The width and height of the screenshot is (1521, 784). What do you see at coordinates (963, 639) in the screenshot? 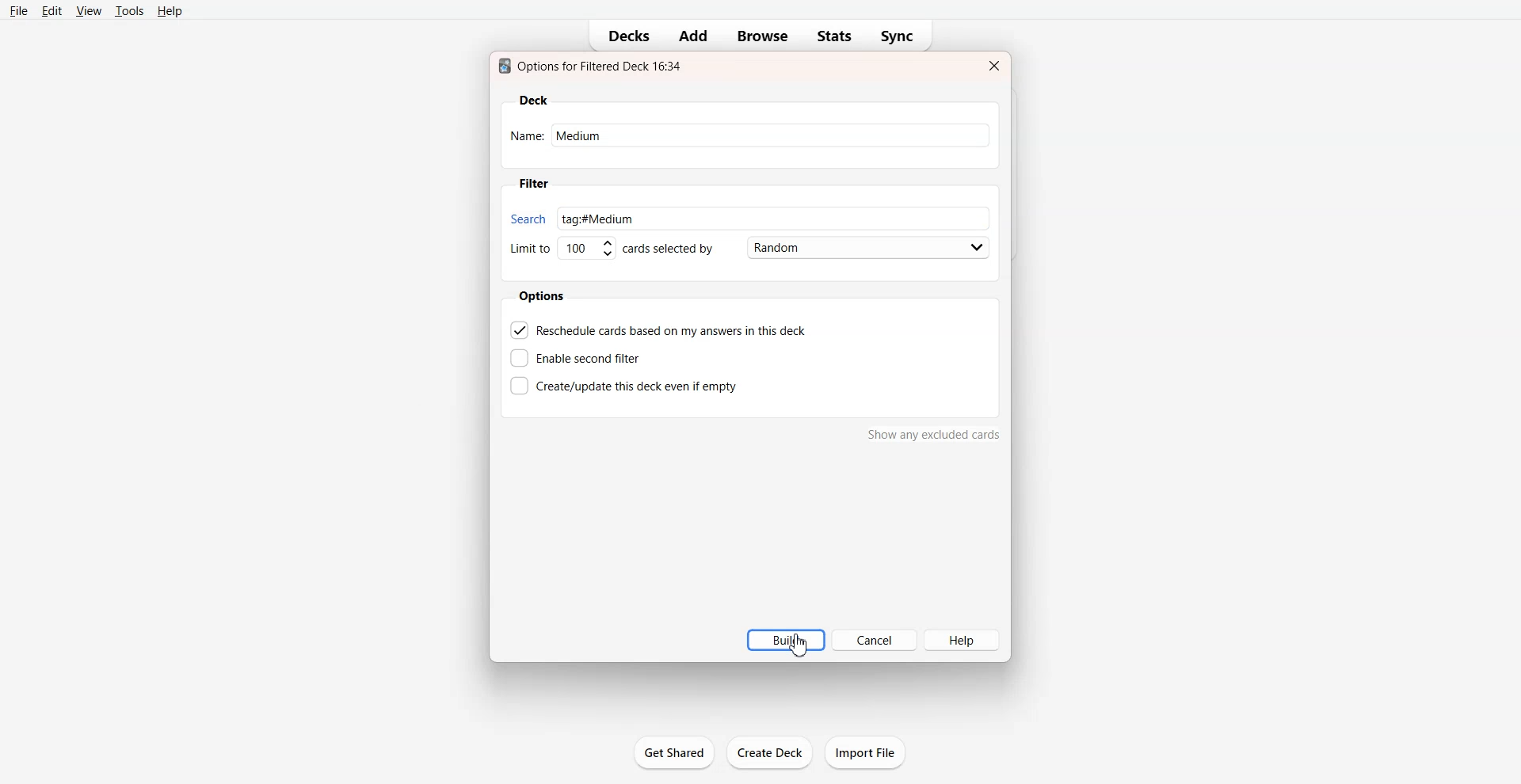
I see `Help` at bounding box center [963, 639].